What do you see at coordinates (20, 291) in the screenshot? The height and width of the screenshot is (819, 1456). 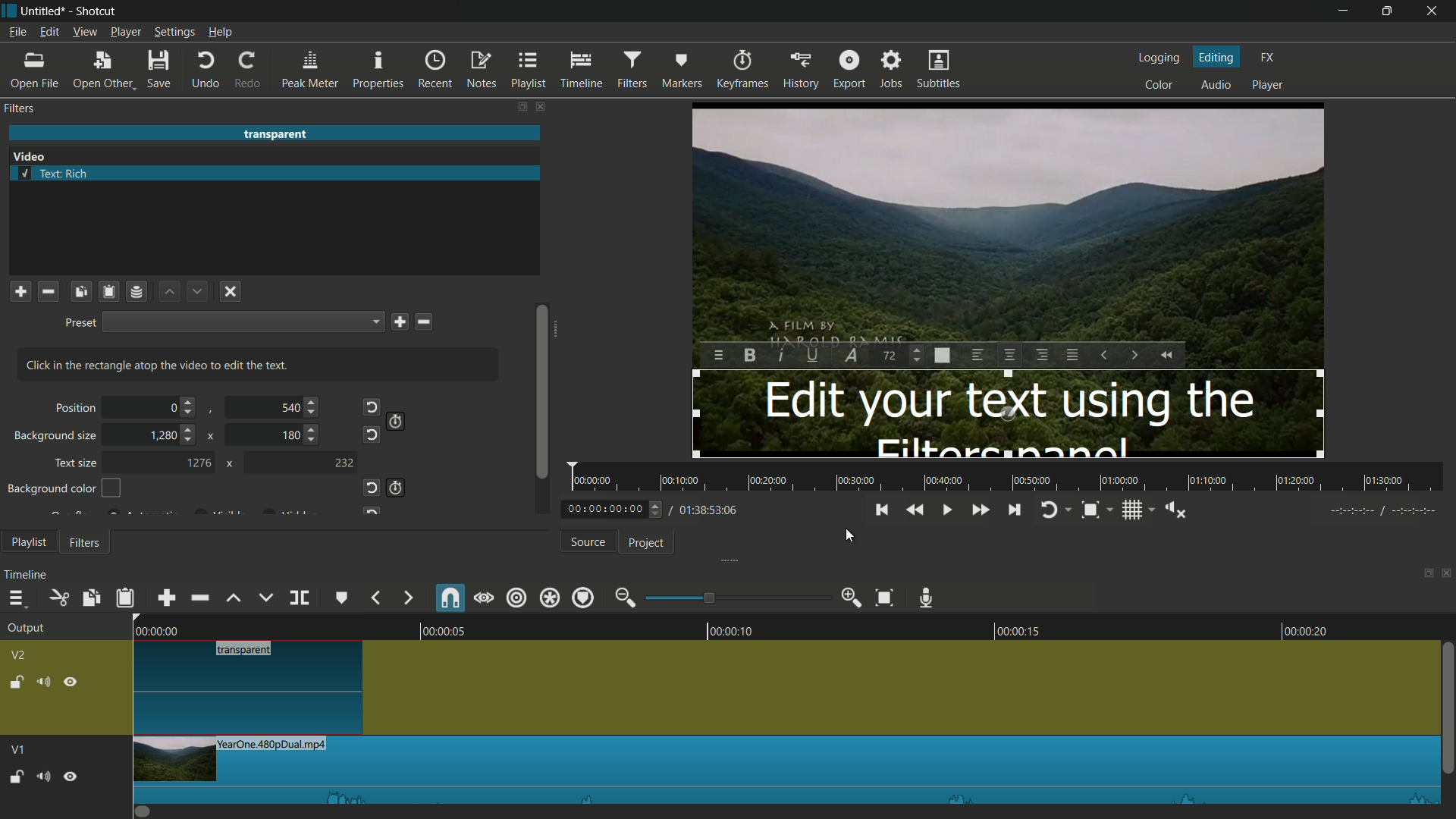 I see `add a filter` at bounding box center [20, 291].